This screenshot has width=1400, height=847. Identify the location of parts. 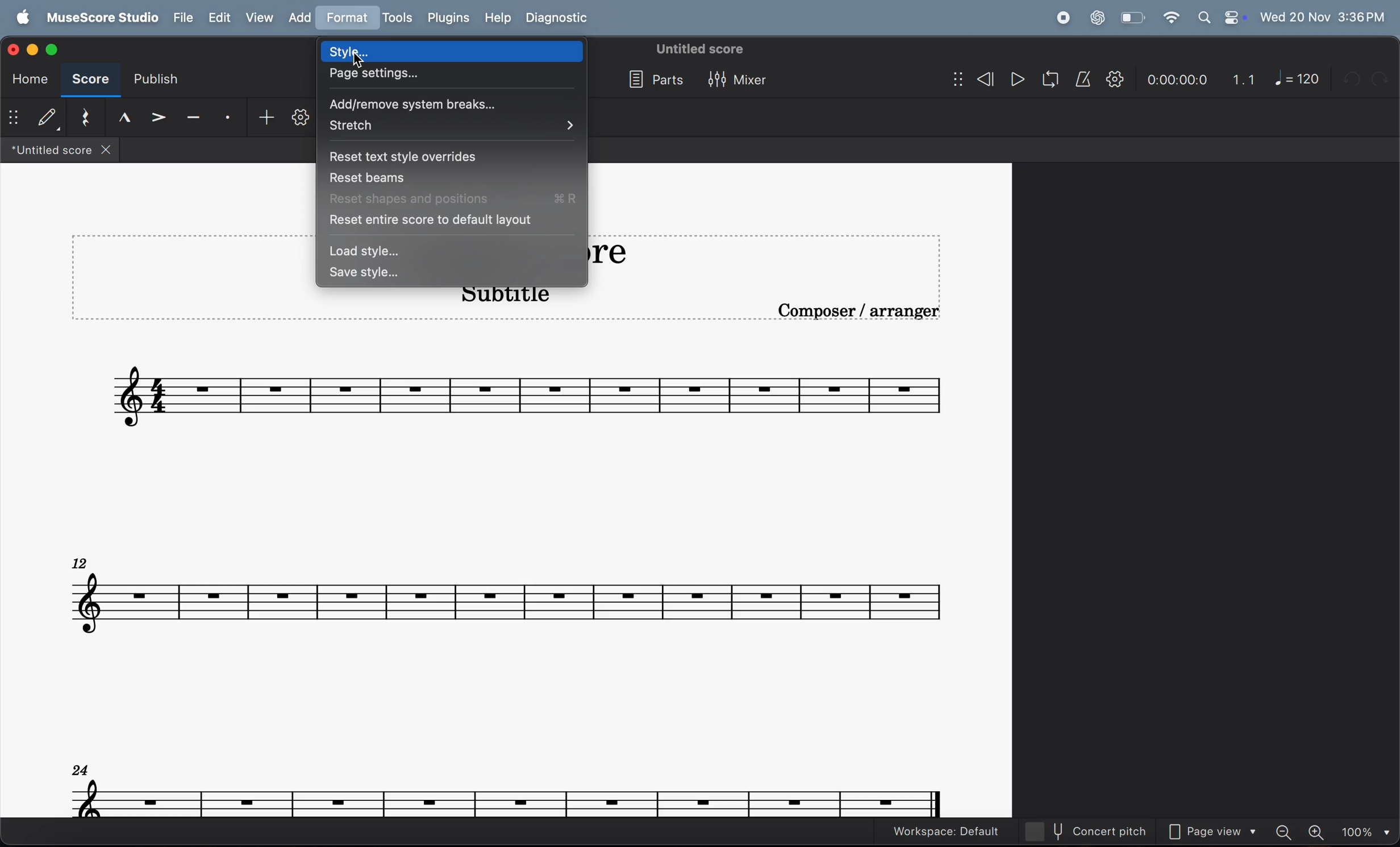
(652, 81).